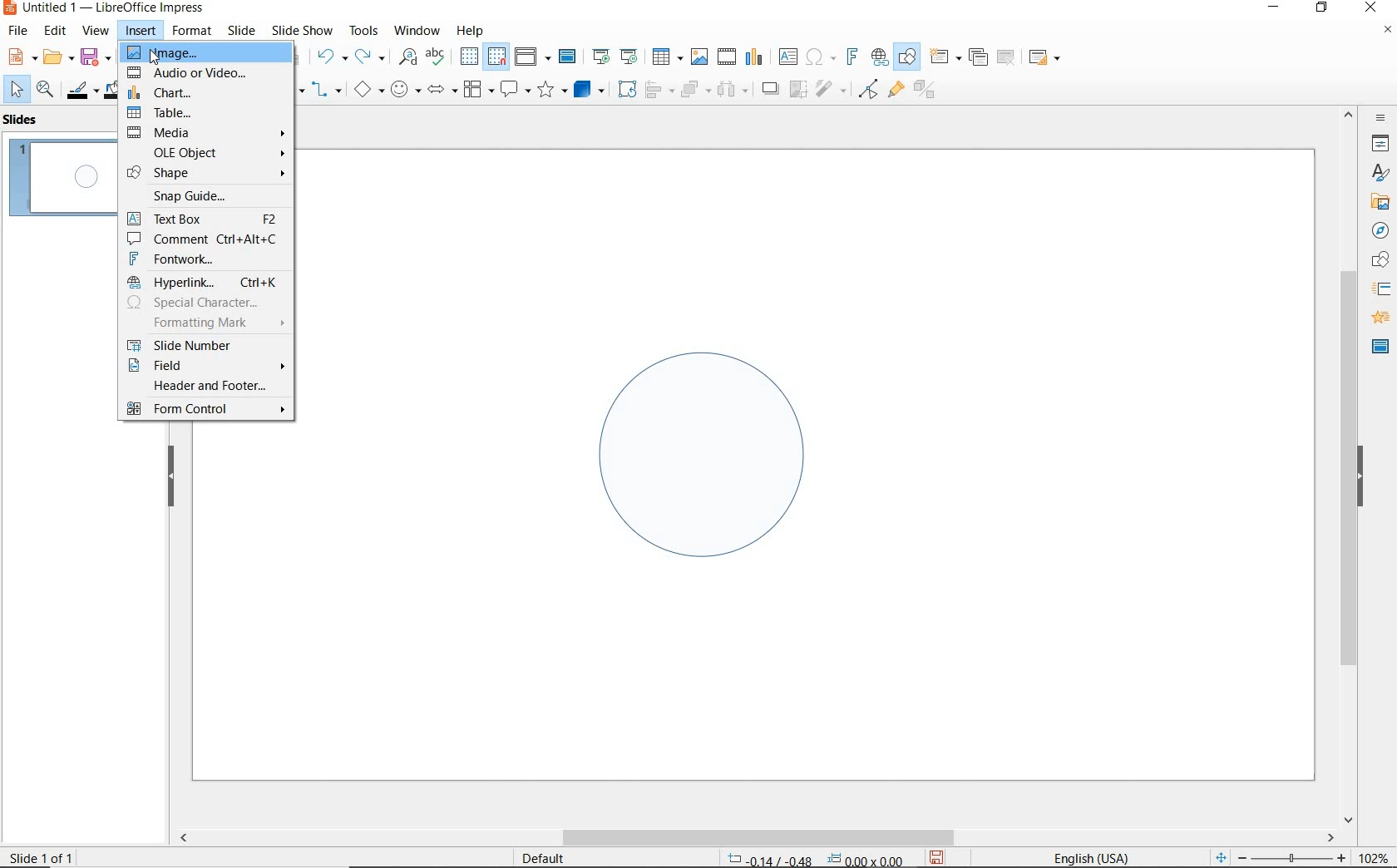  What do you see at coordinates (813, 860) in the screenshot?
I see `coordinates` at bounding box center [813, 860].